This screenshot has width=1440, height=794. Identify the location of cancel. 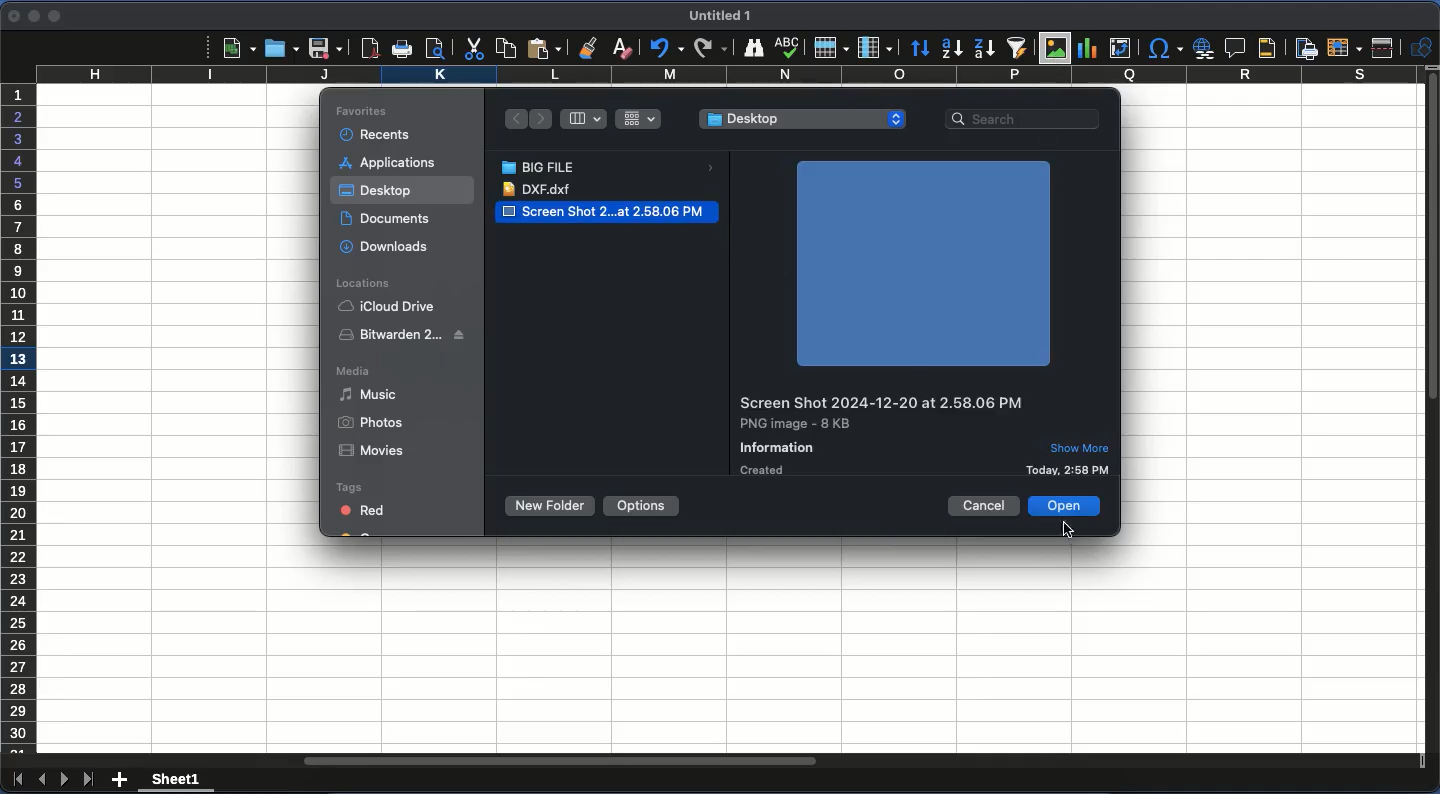
(982, 508).